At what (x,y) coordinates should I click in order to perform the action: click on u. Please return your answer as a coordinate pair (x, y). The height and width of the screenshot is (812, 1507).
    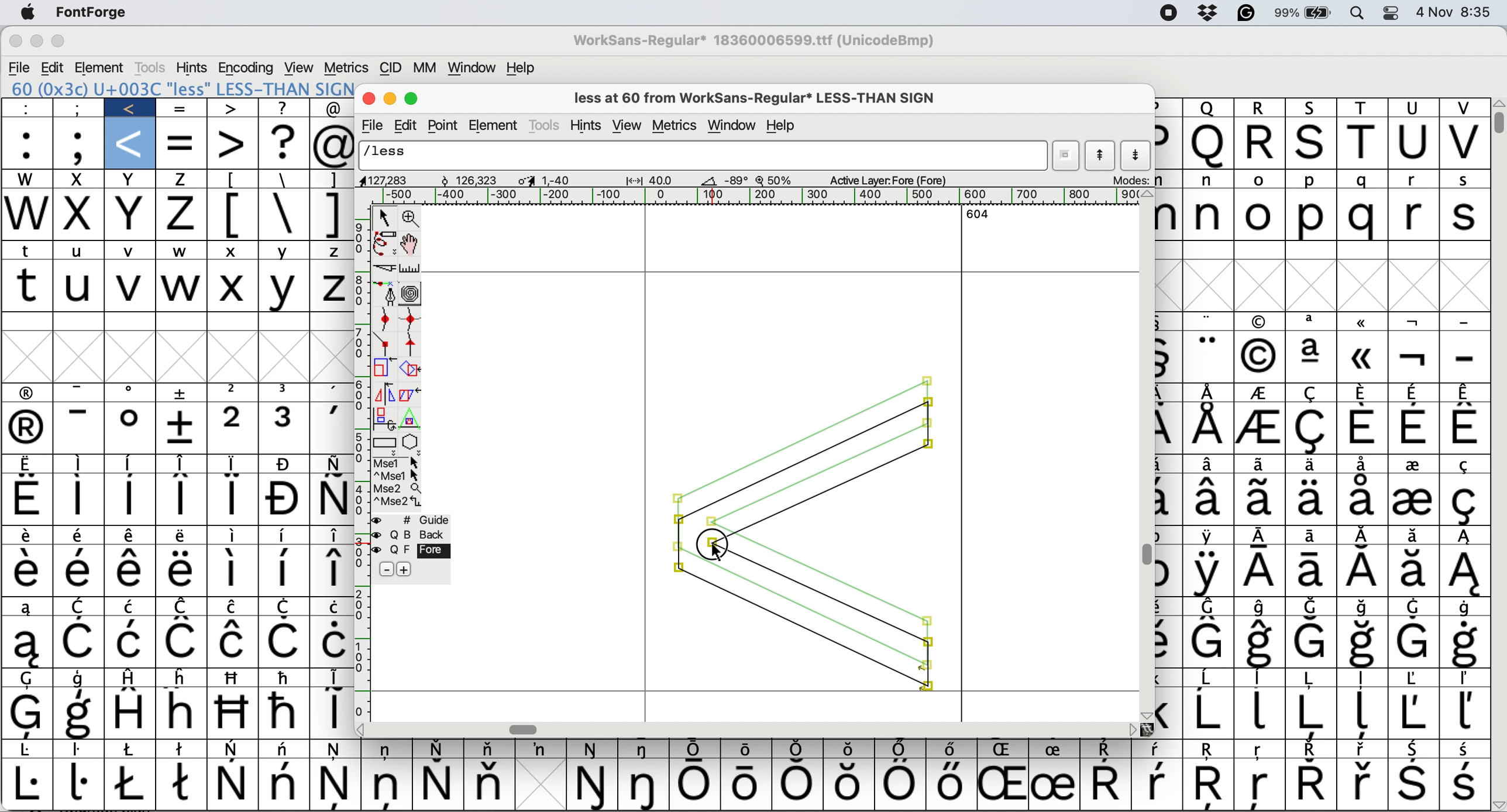
    Looking at the image, I should click on (81, 249).